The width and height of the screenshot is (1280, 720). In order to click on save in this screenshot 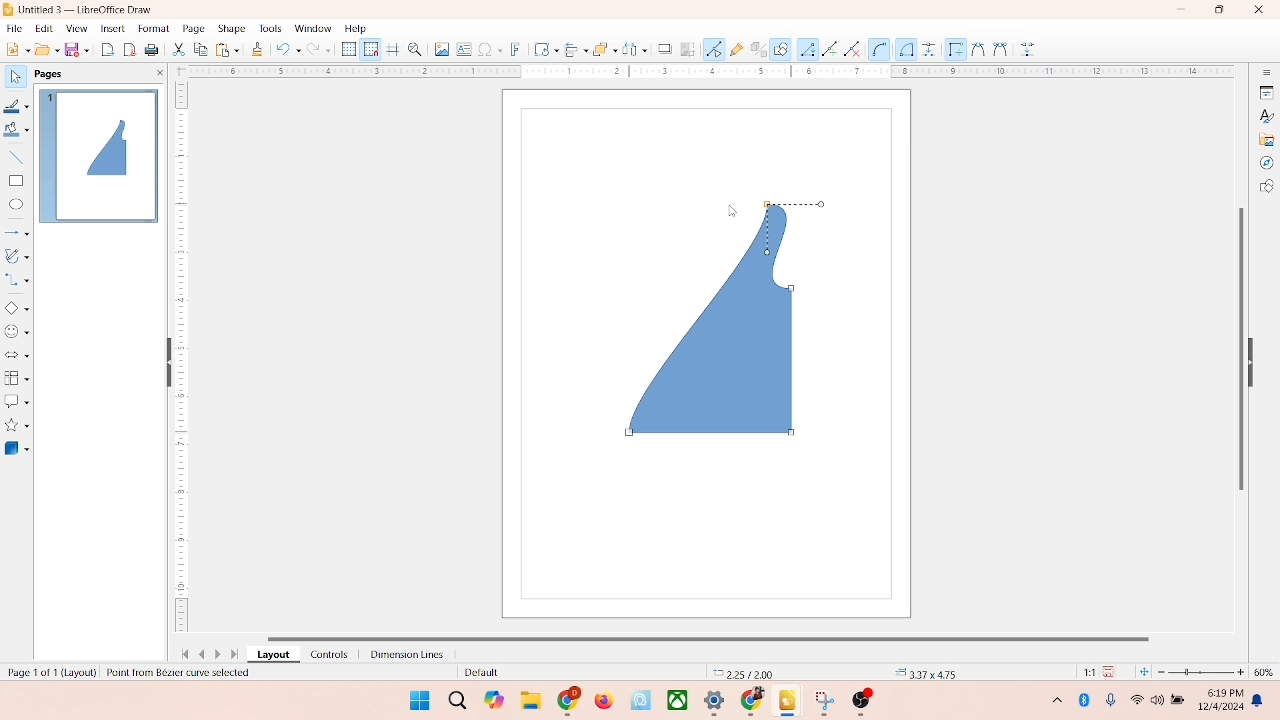, I will do `click(1112, 671)`.